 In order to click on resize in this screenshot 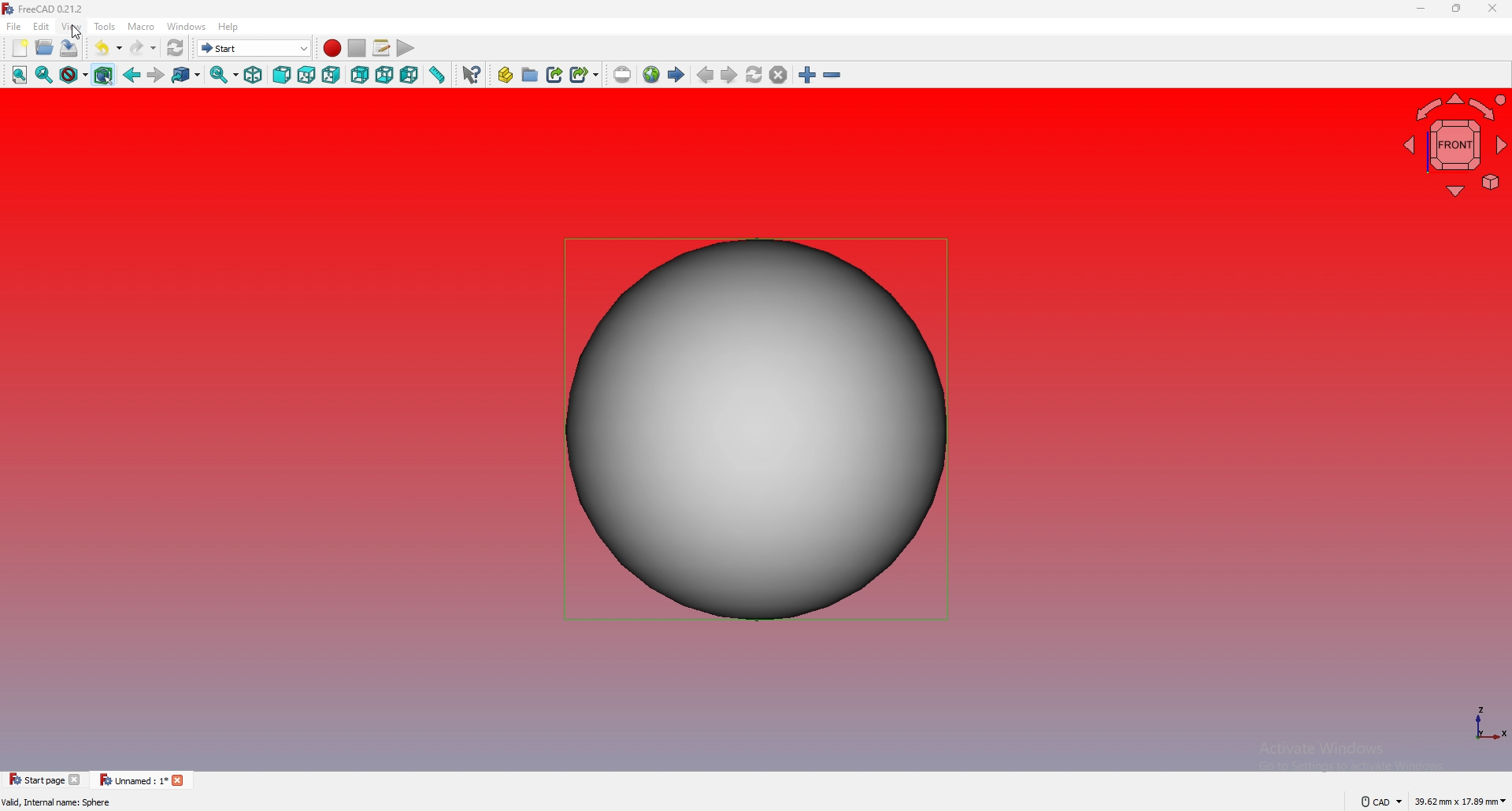, I will do `click(1455, 8)`.